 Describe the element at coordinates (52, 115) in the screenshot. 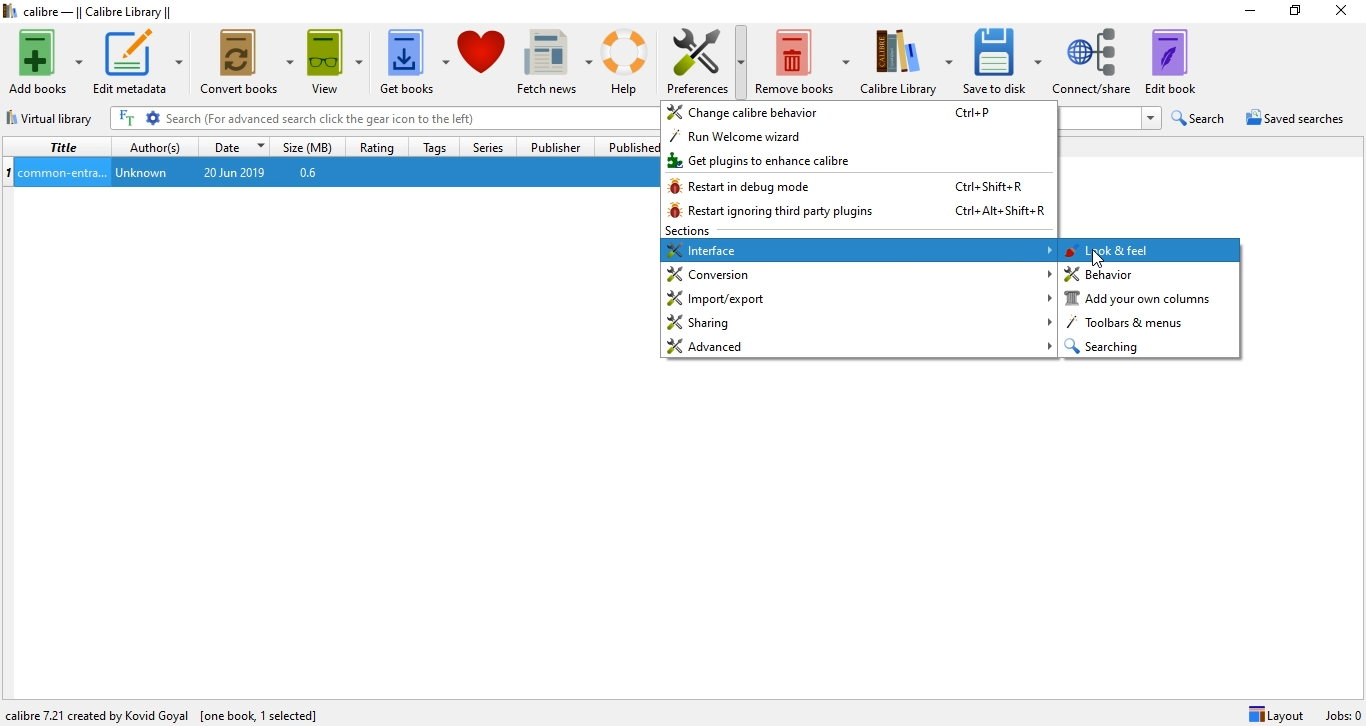

I see `Virtual library` at that location.